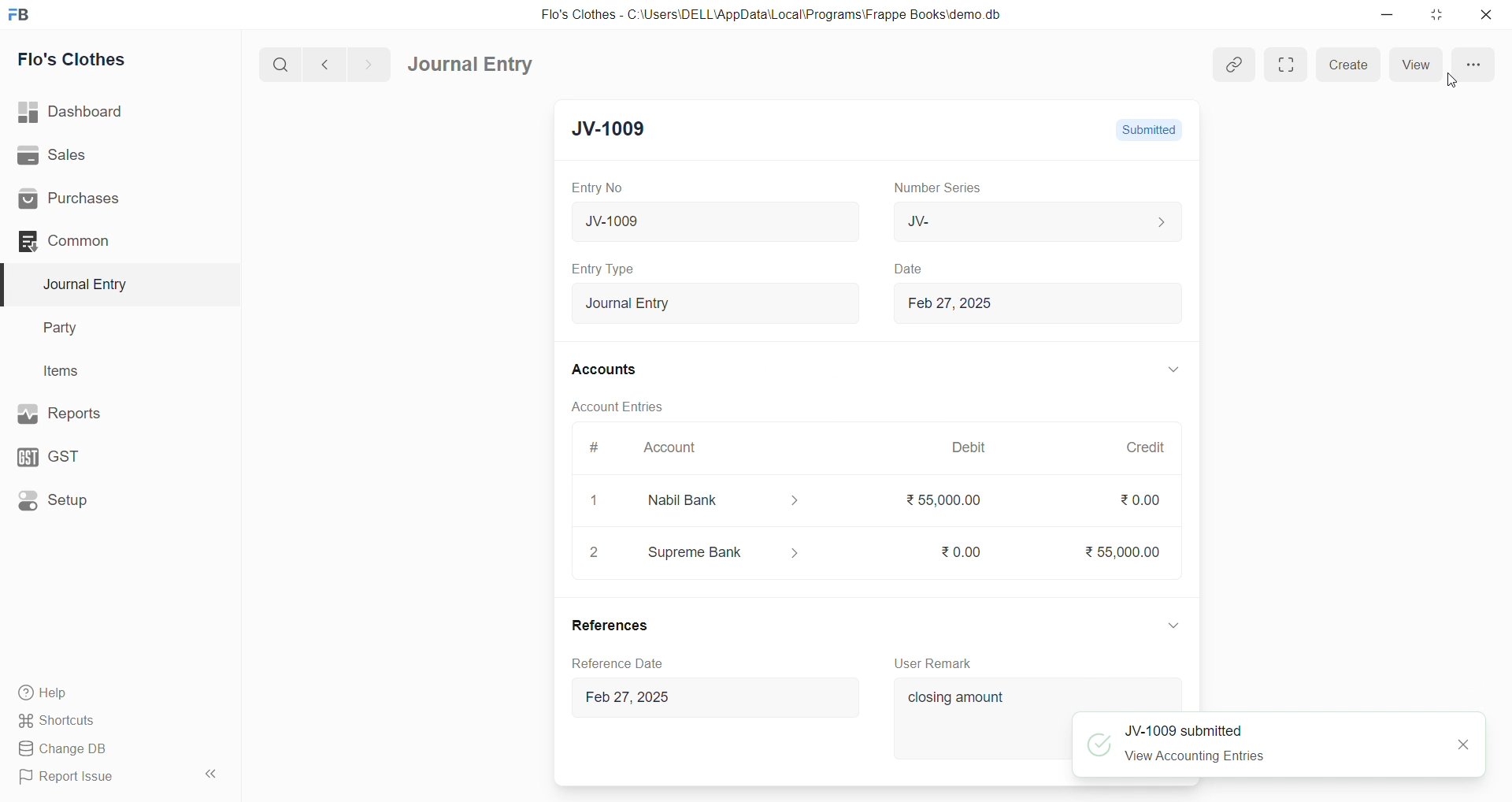  What do you see at coordinates (80, 59) in the screenshot?
I see `Flo's Clothes` at bounding box center [80, 59].